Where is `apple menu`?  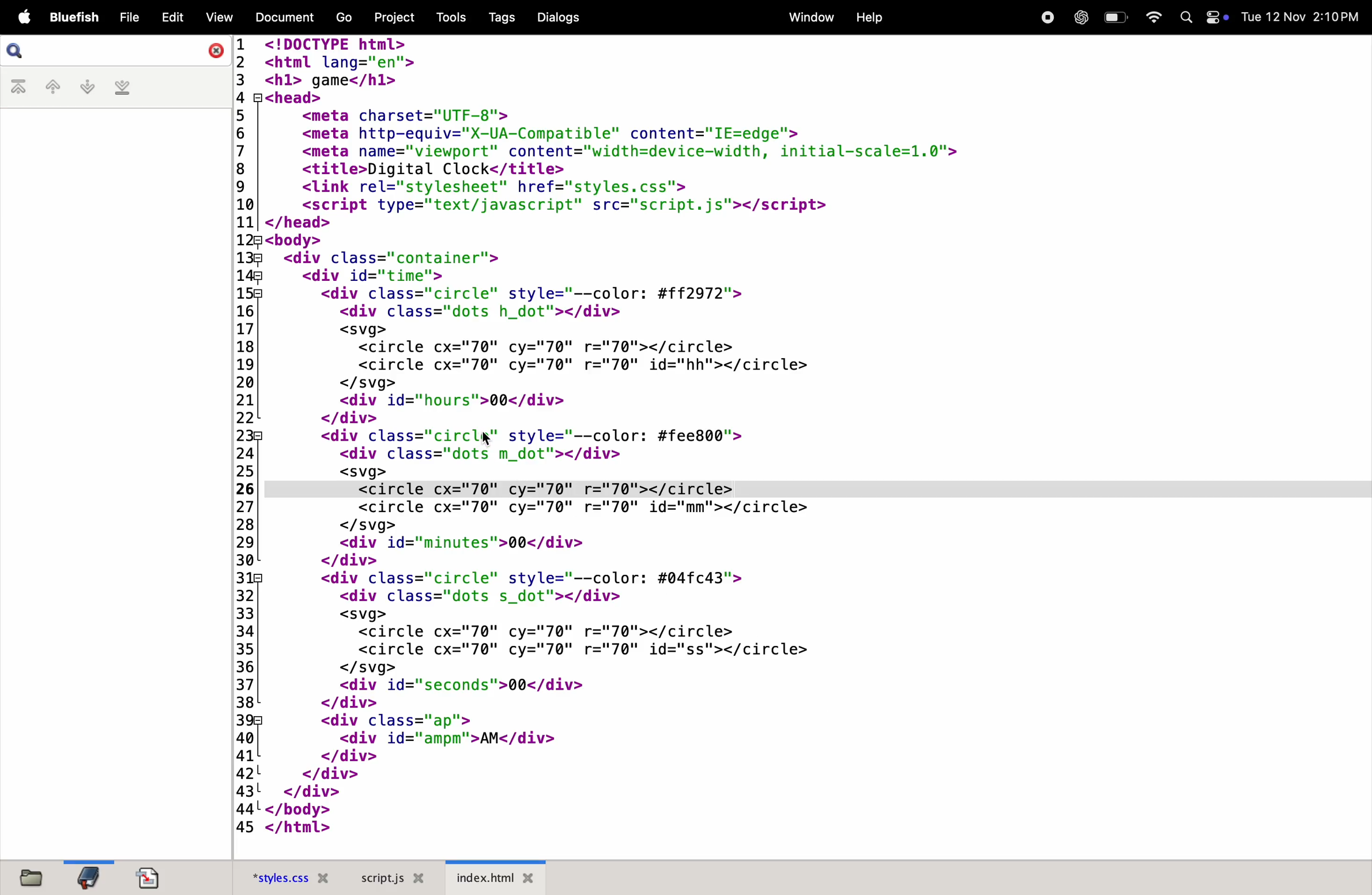
apple menu is located at coordinates (24, 17).